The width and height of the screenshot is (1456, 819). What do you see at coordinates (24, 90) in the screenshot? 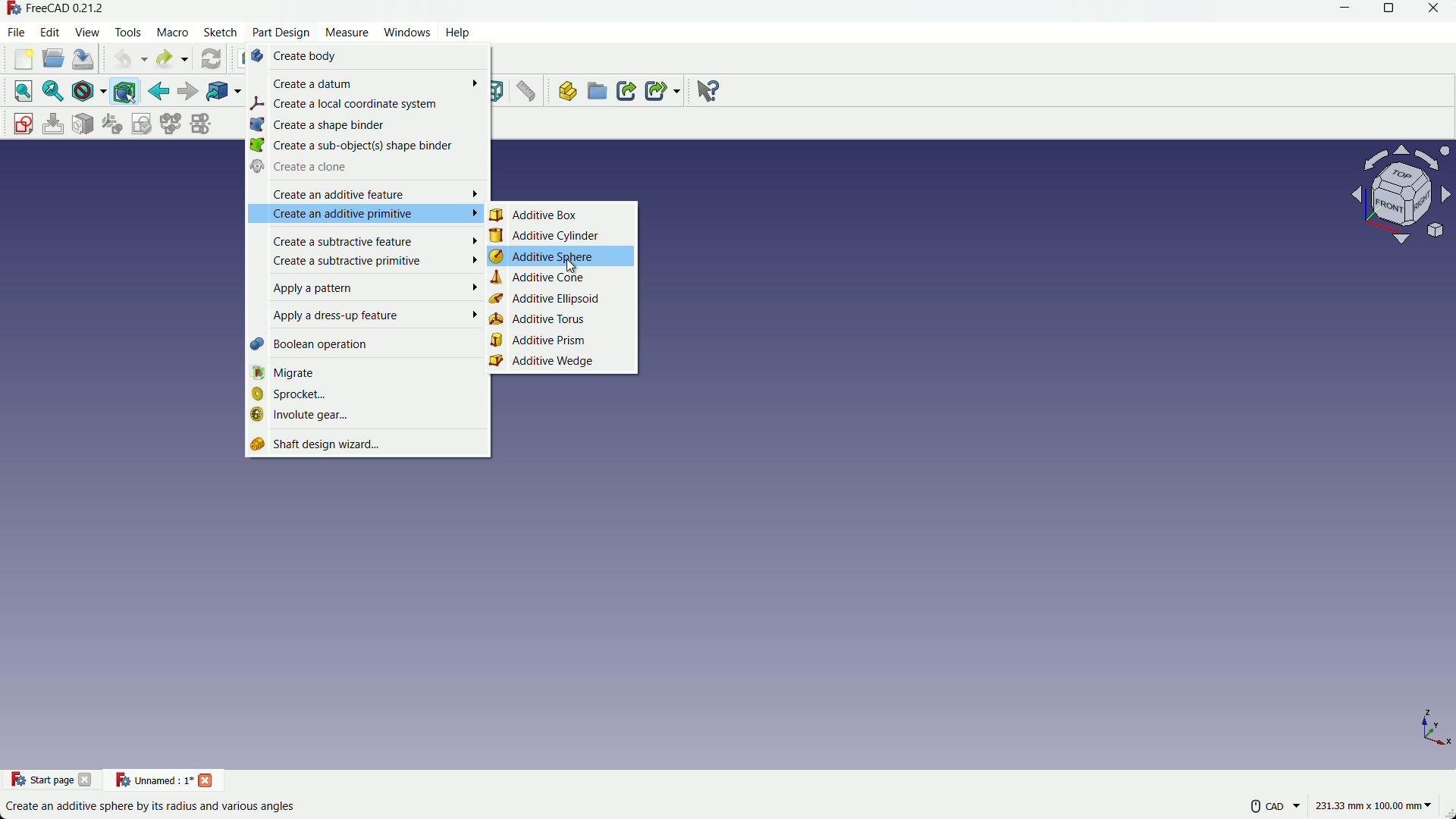
I see `fit all` at bounding box center [24, 90].